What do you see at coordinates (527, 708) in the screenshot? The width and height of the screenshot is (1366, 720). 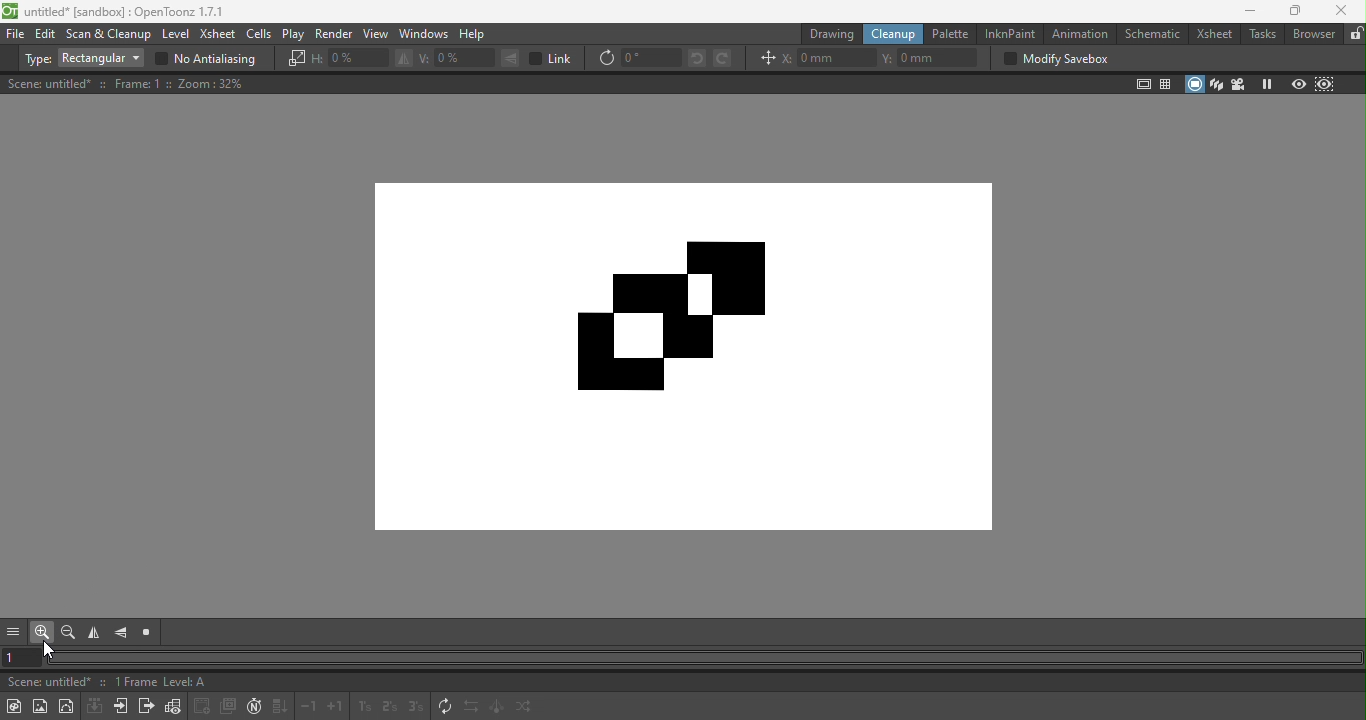 I see `Random` at bounding box center [527, 708].